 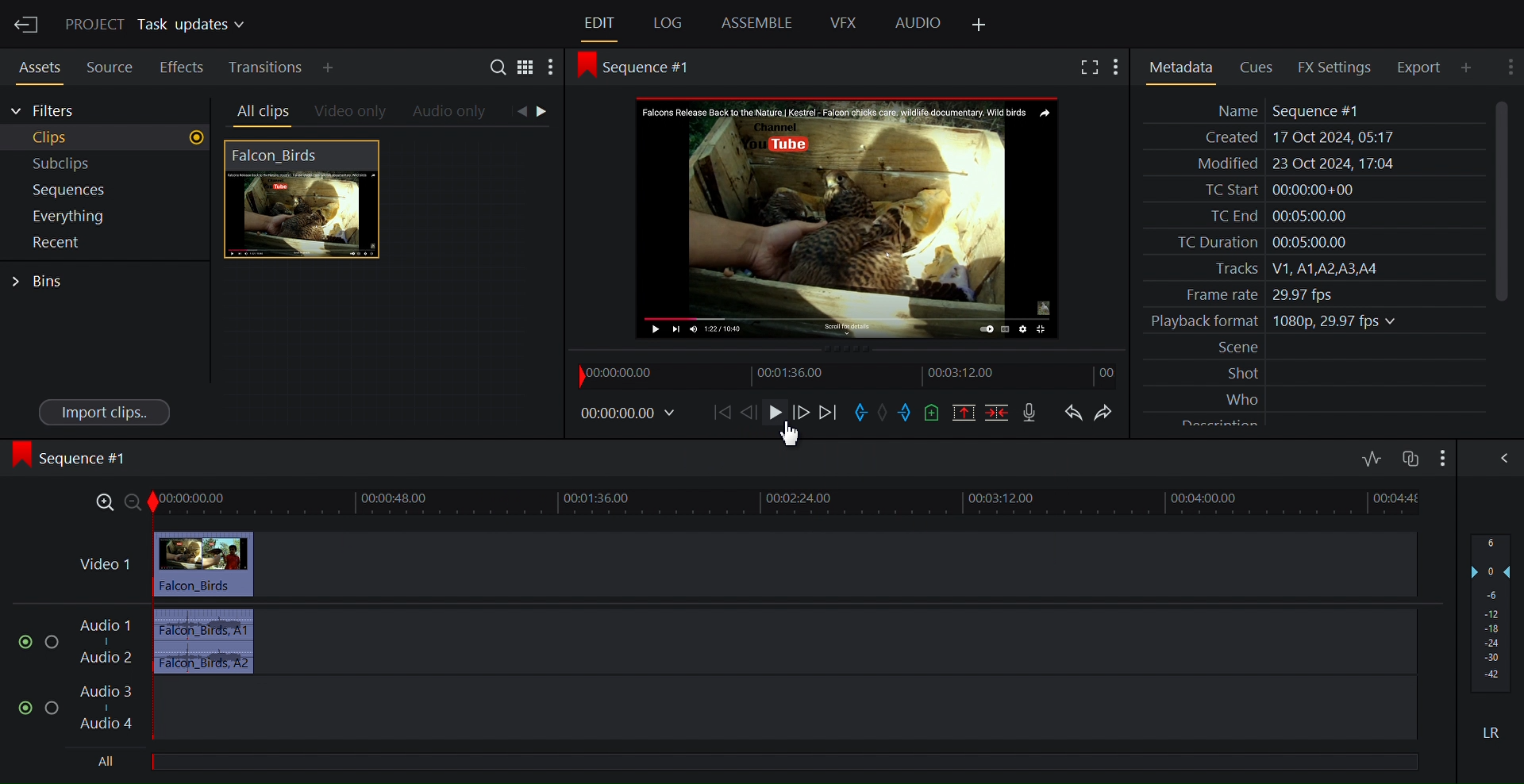 What do you see at coordinates (1508, 66) in the screenshot?
I see `Show settings menu` at bounding box center [1508, 66].